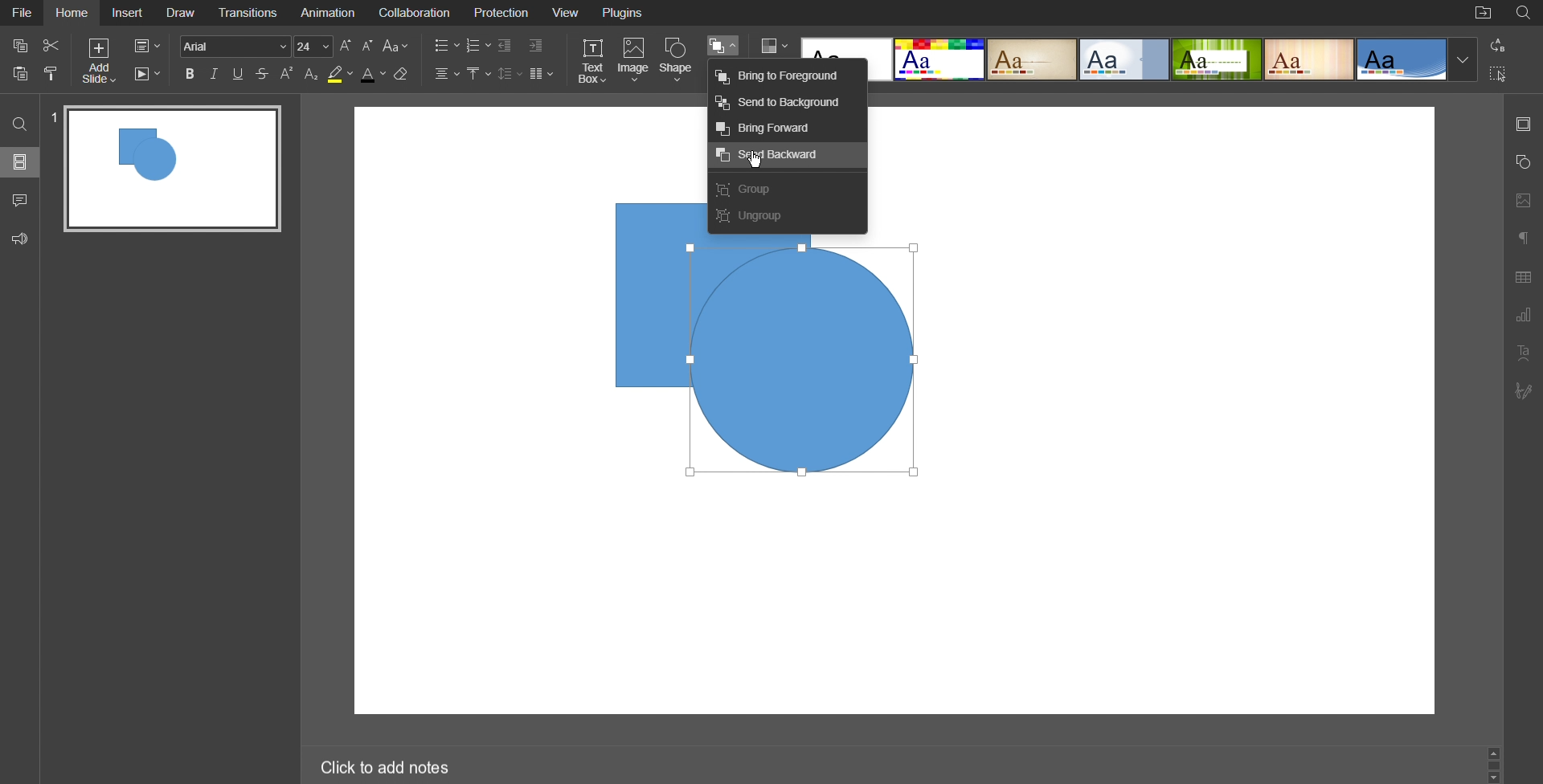  I want to click on Numbered List, so click(478, 45).